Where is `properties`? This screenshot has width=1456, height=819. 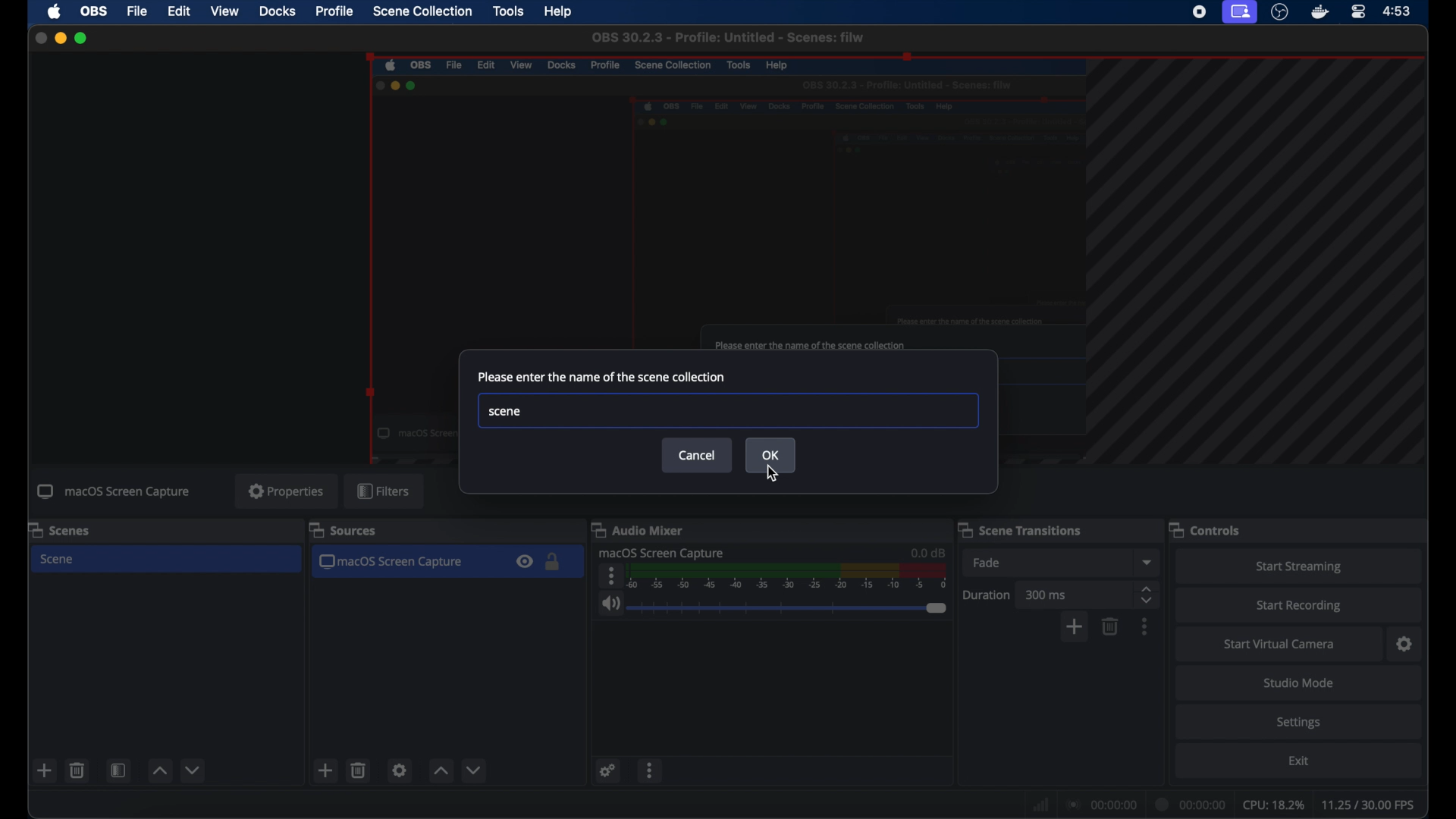 properties is located at coordinates (286, 491).